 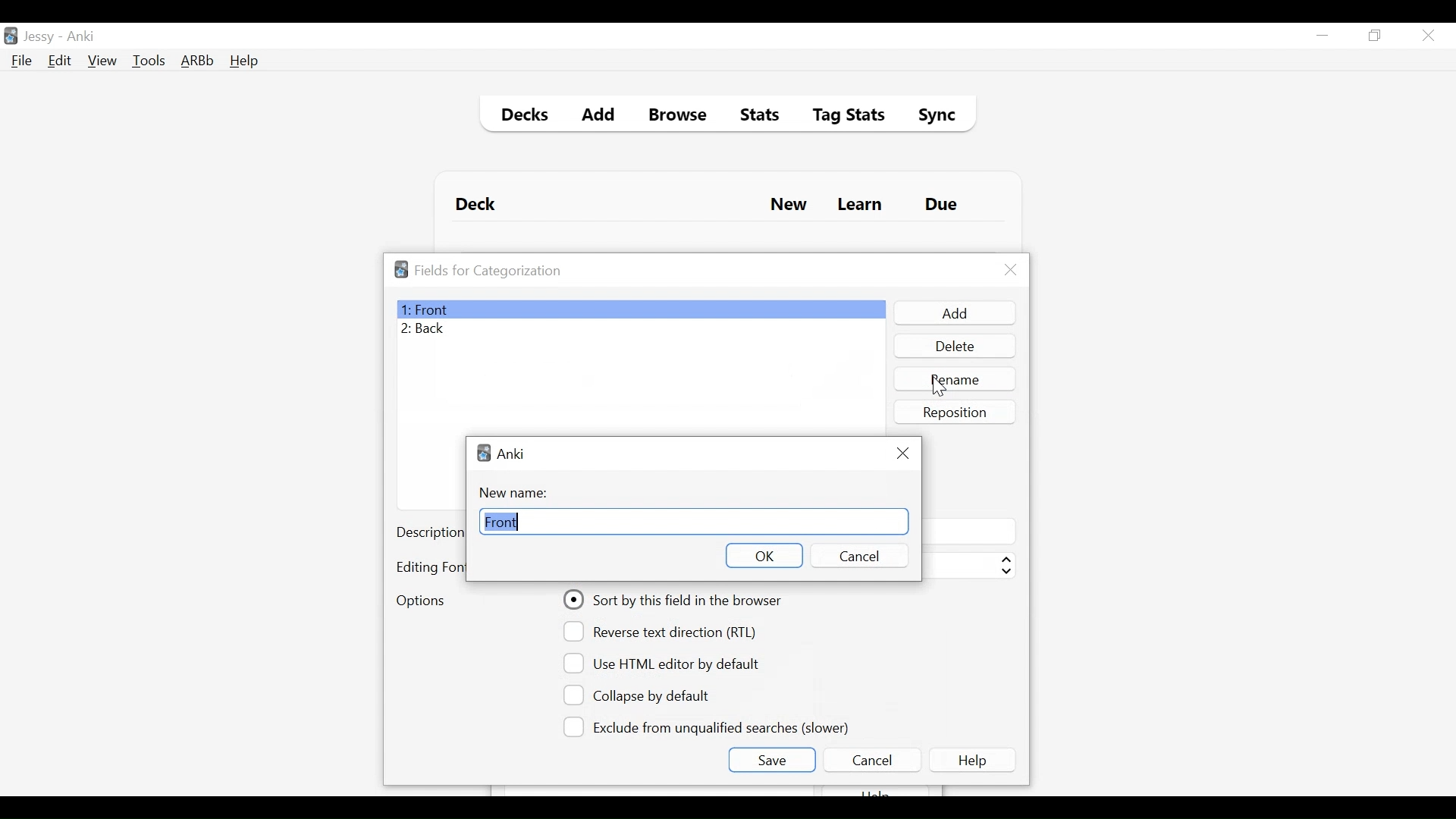 What do you see at coordinates (648, 695) in the screenshot?
I see `(un)select Collapse by default` at bounding box center [648, 695].